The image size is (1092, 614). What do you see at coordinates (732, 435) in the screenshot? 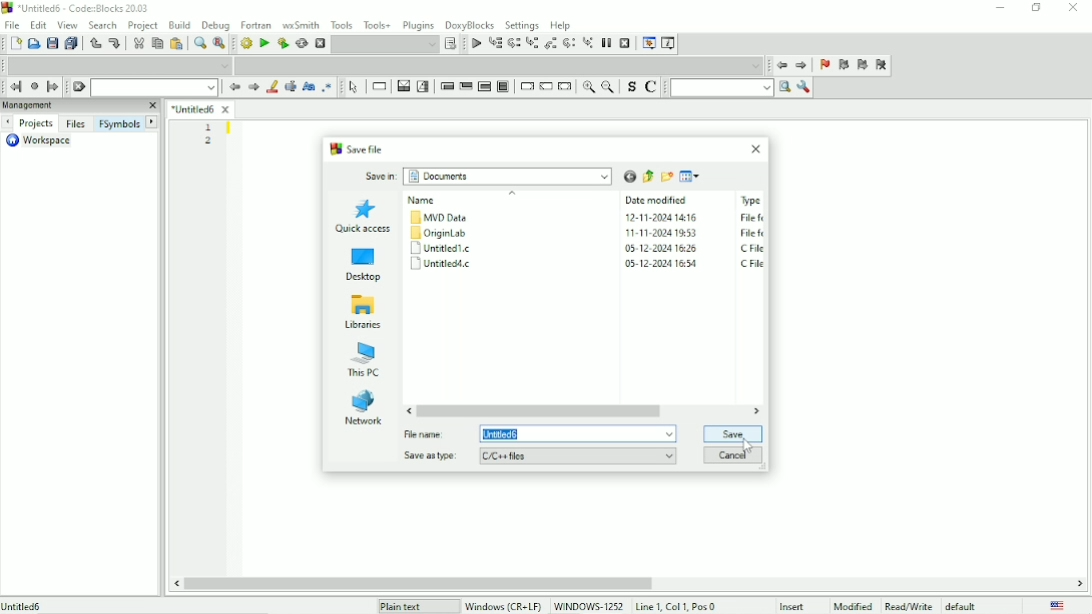
I see `Save` at bounding box center [732, 435].